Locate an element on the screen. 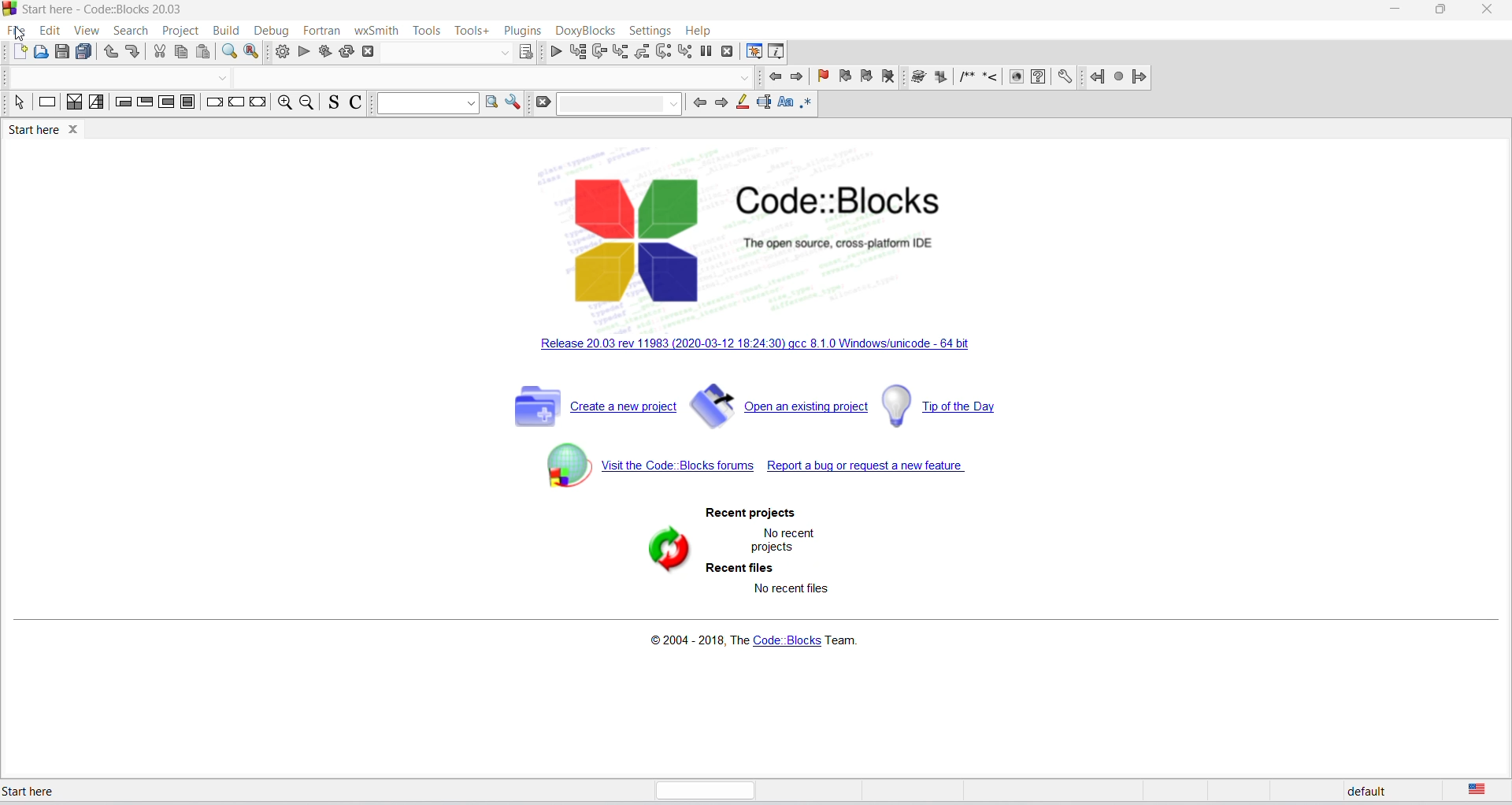 This screenshot has height=805, width=1512. close is located at coordinates (1488, 12).